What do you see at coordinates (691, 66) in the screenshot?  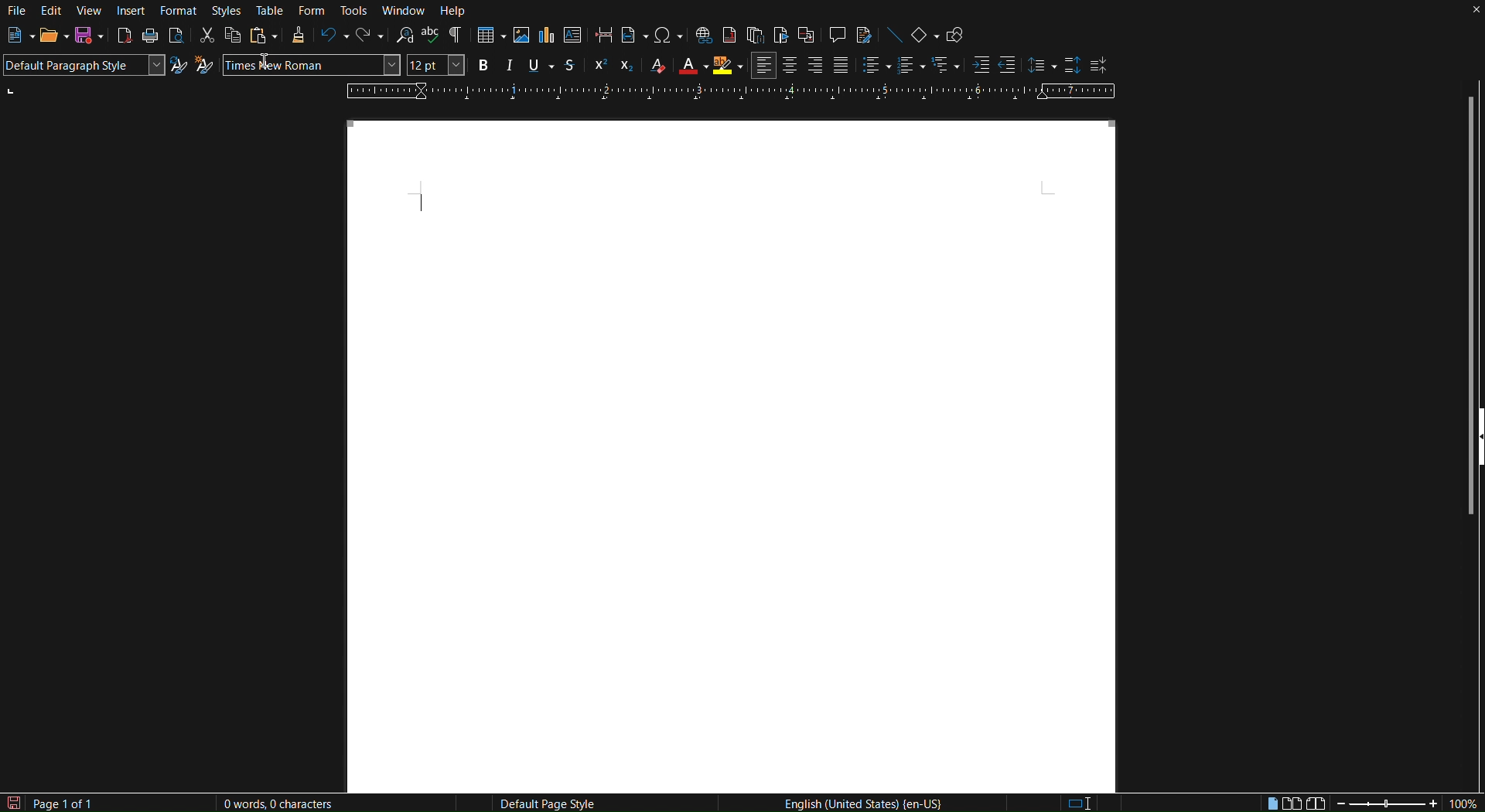 I see `Text Color` at bounding box center [691, 66].